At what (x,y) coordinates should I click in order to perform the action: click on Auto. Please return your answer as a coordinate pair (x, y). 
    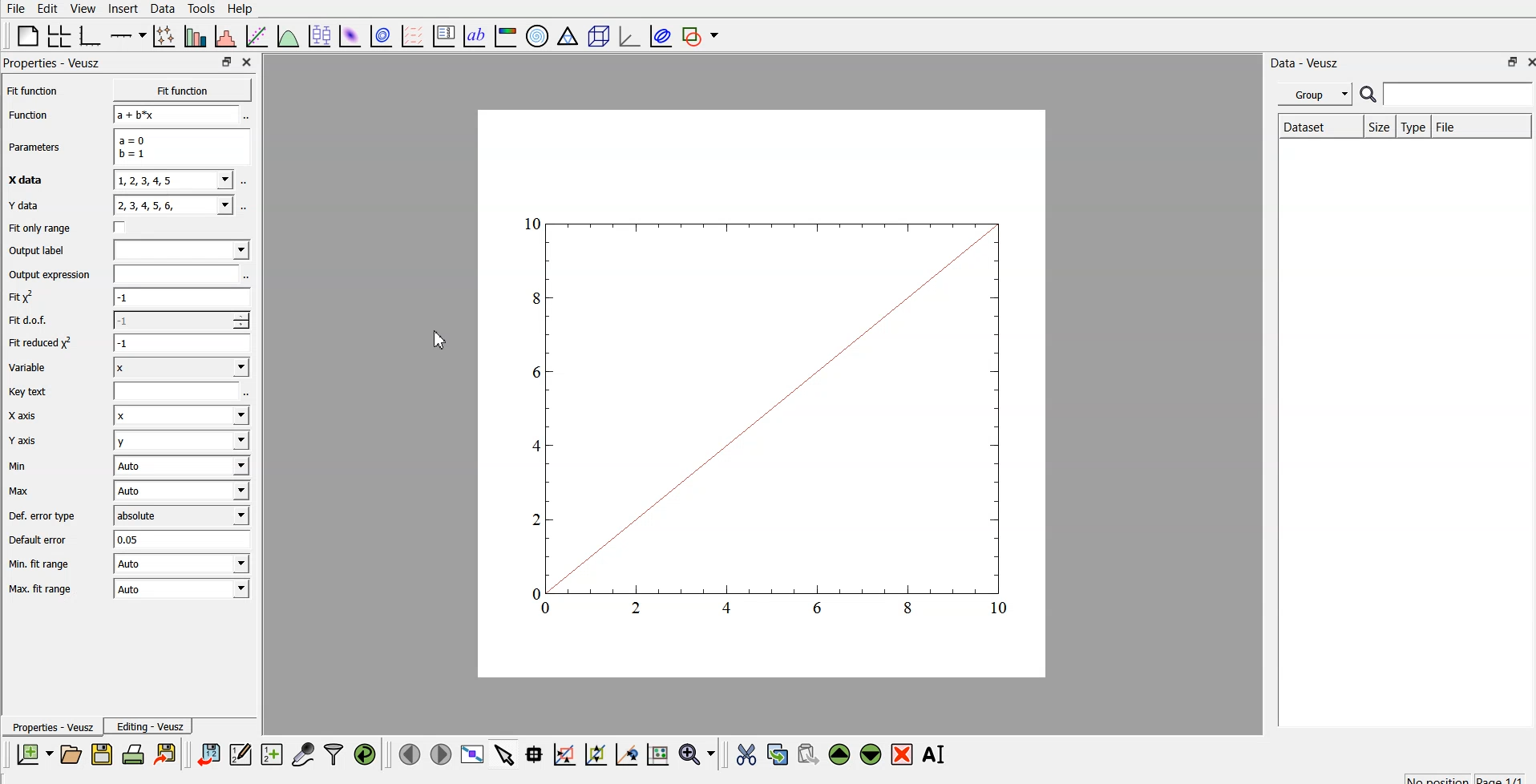
    Looking at the image, I should click on (184, 492).